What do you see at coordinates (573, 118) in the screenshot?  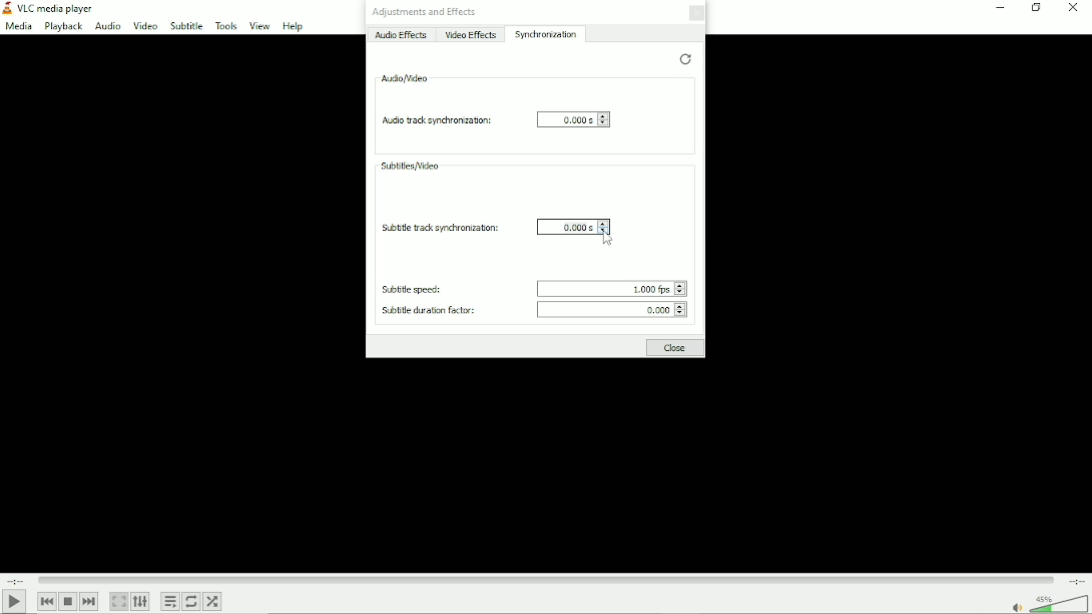 I see `0.000s` at bounding box center [573, 118].